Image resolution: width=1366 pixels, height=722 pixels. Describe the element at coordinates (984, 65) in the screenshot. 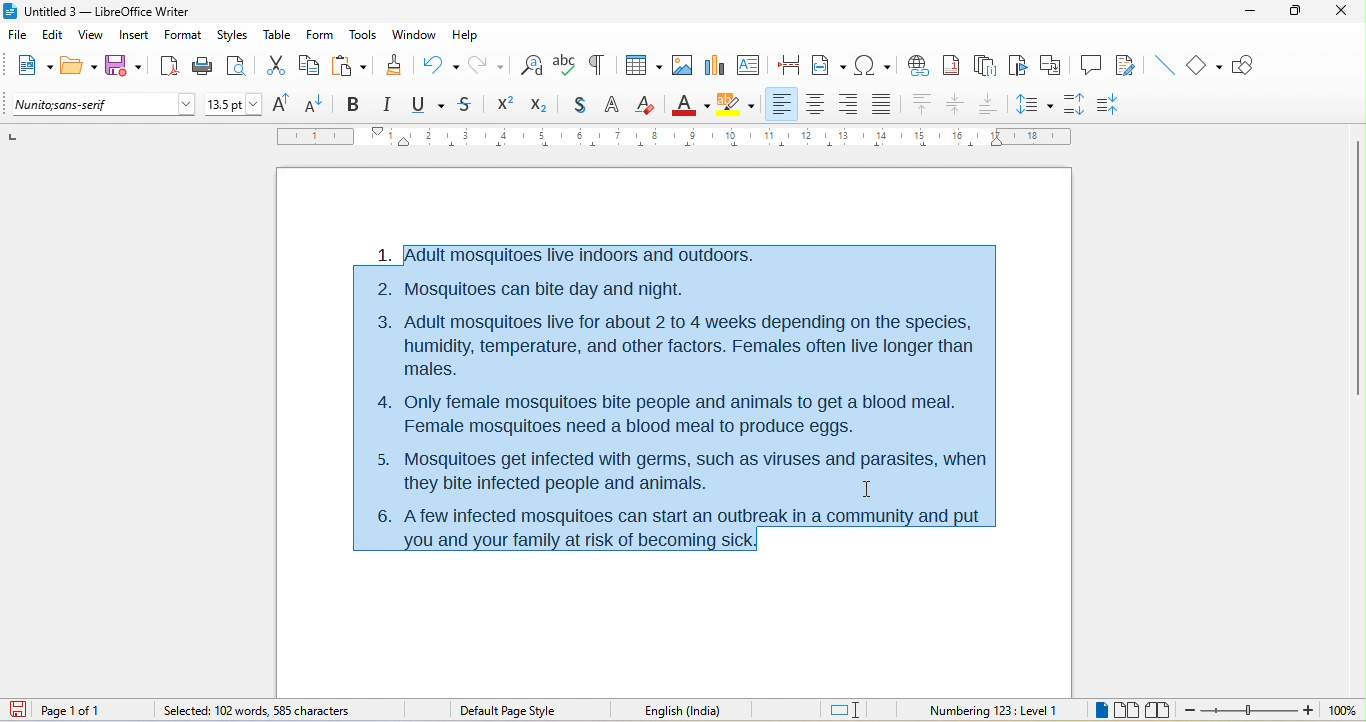

I see `end note` at that location.